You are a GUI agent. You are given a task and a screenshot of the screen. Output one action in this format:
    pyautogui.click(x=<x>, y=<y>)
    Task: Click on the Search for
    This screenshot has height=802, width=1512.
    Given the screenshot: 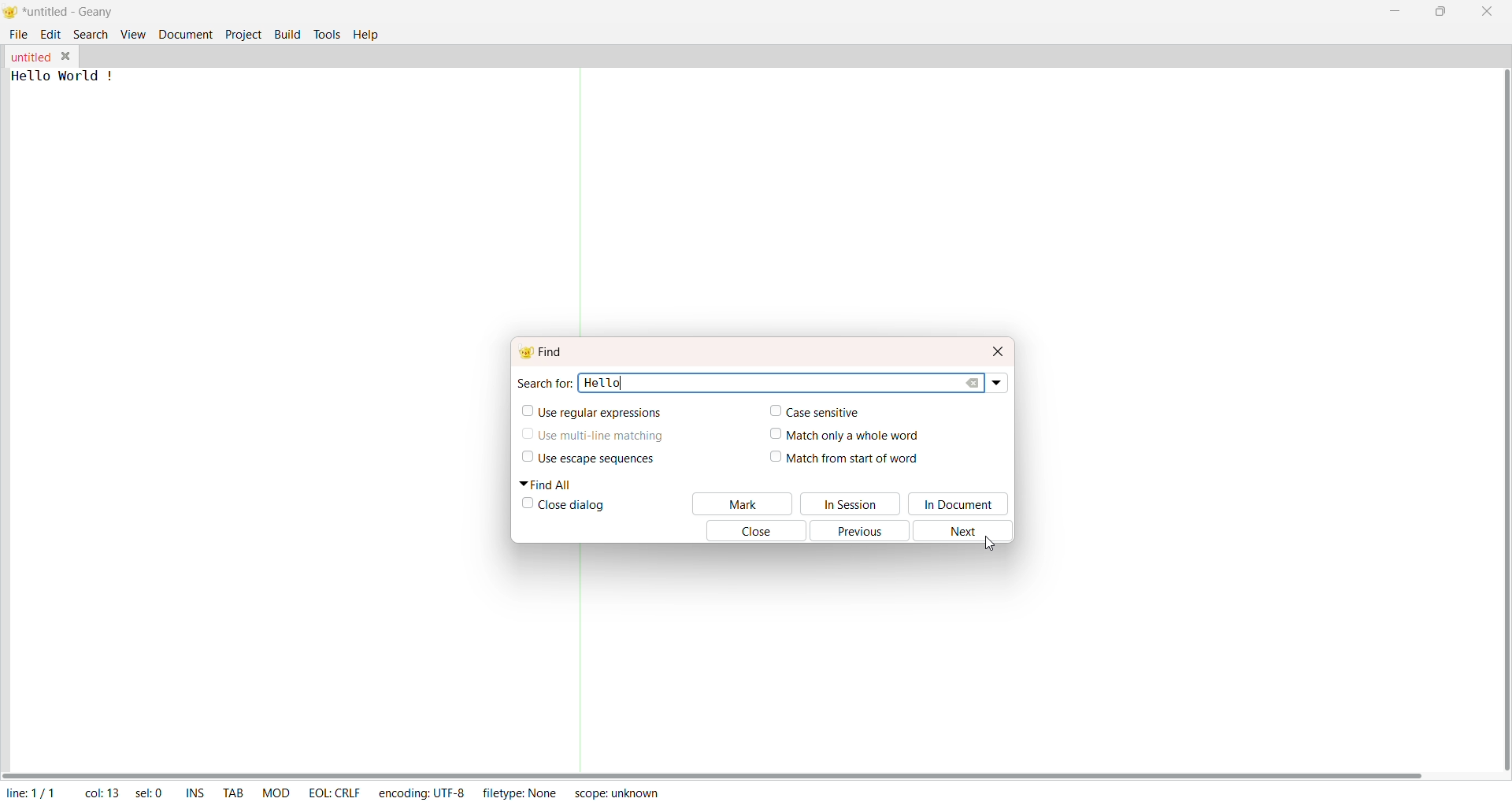 What is the action you would take?
    pyautogui.click(x=543, y=382)
    